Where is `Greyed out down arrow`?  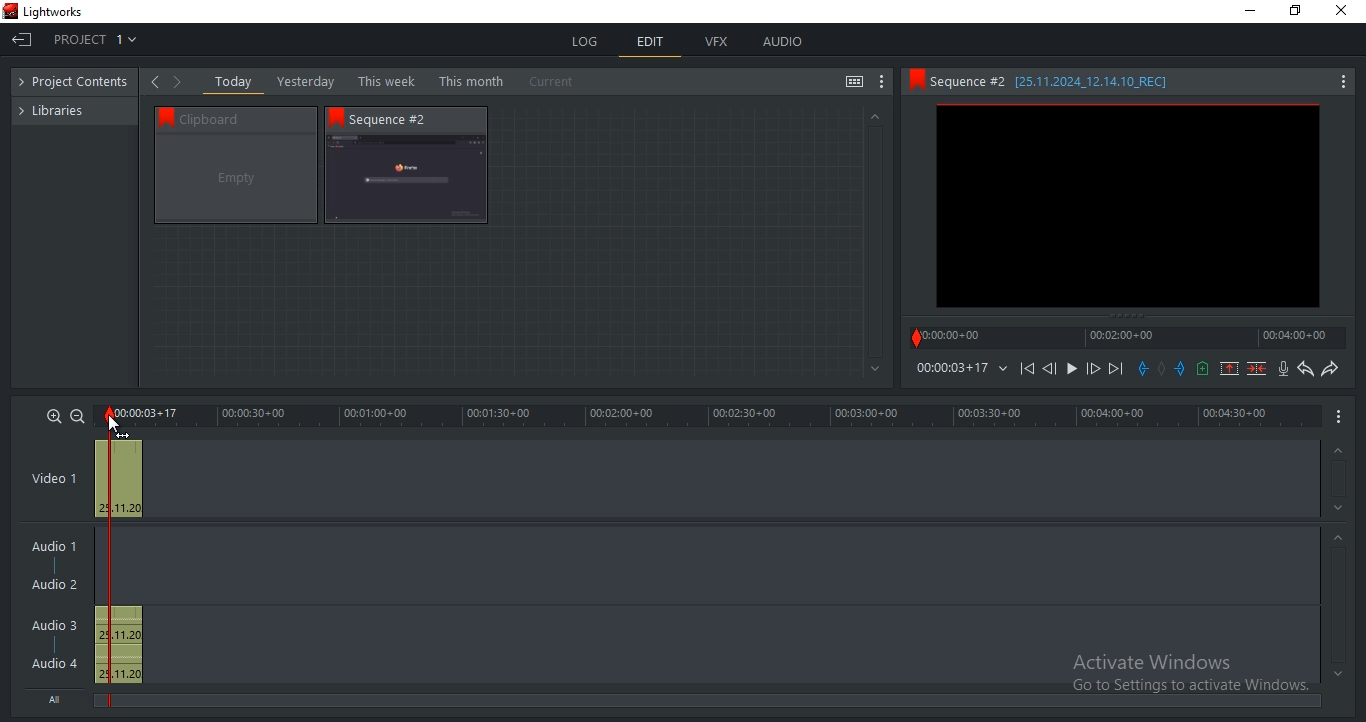
Greyed out down arrow is located at coordinates (1338, 673).